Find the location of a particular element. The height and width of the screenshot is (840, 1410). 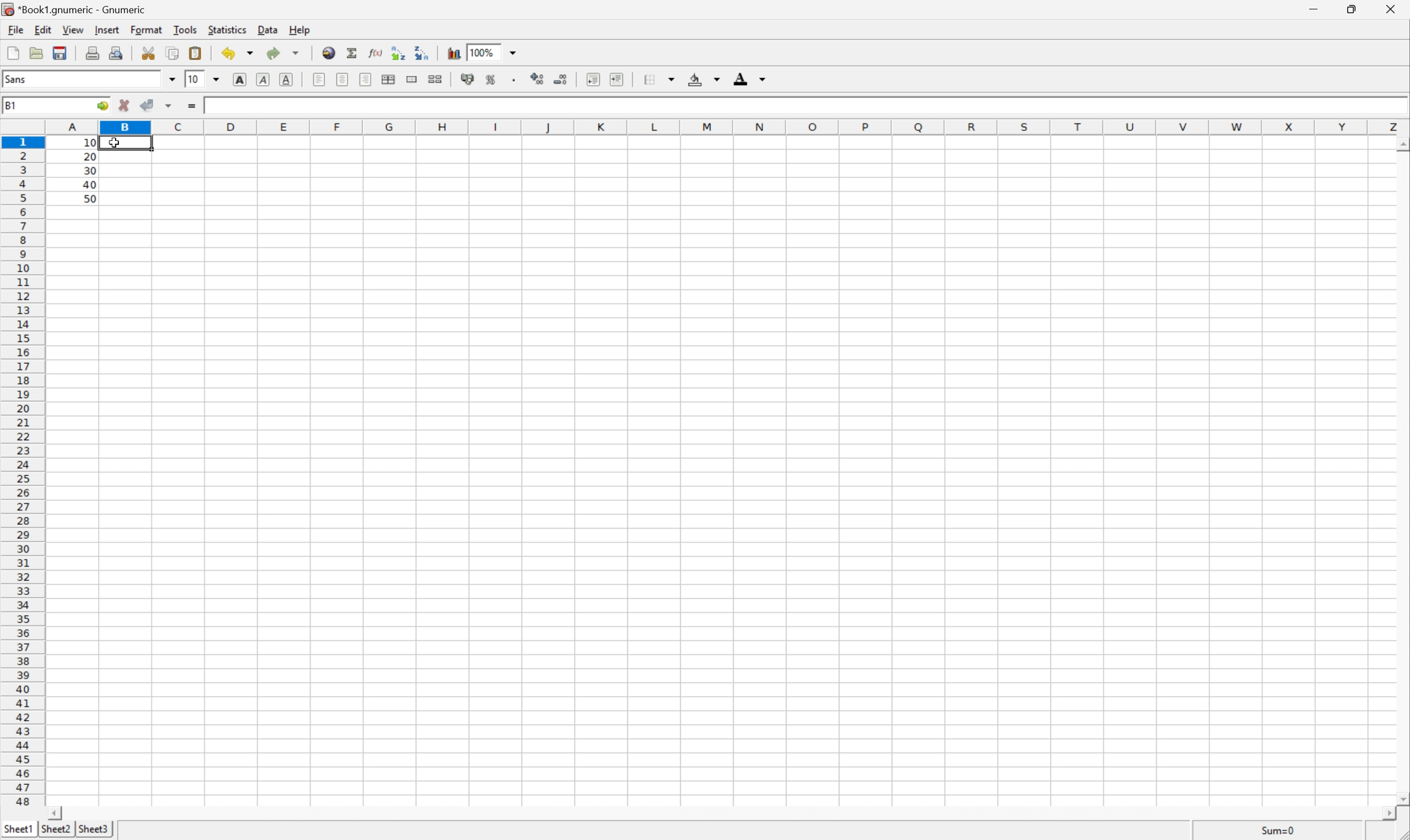

Statistics is located at coordinates (227, 30).